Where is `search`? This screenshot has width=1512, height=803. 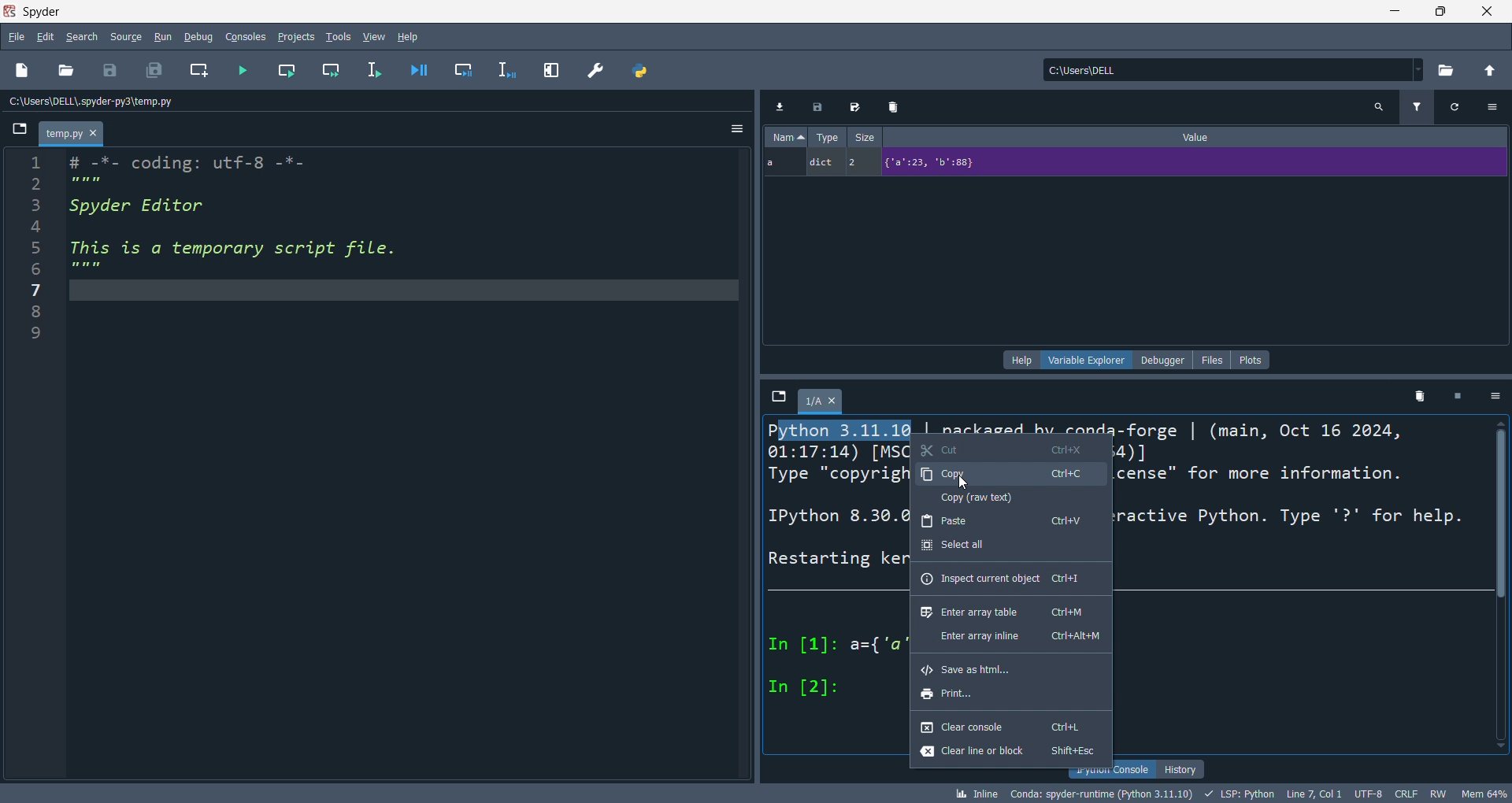
search is located at coordinates (78, 37).